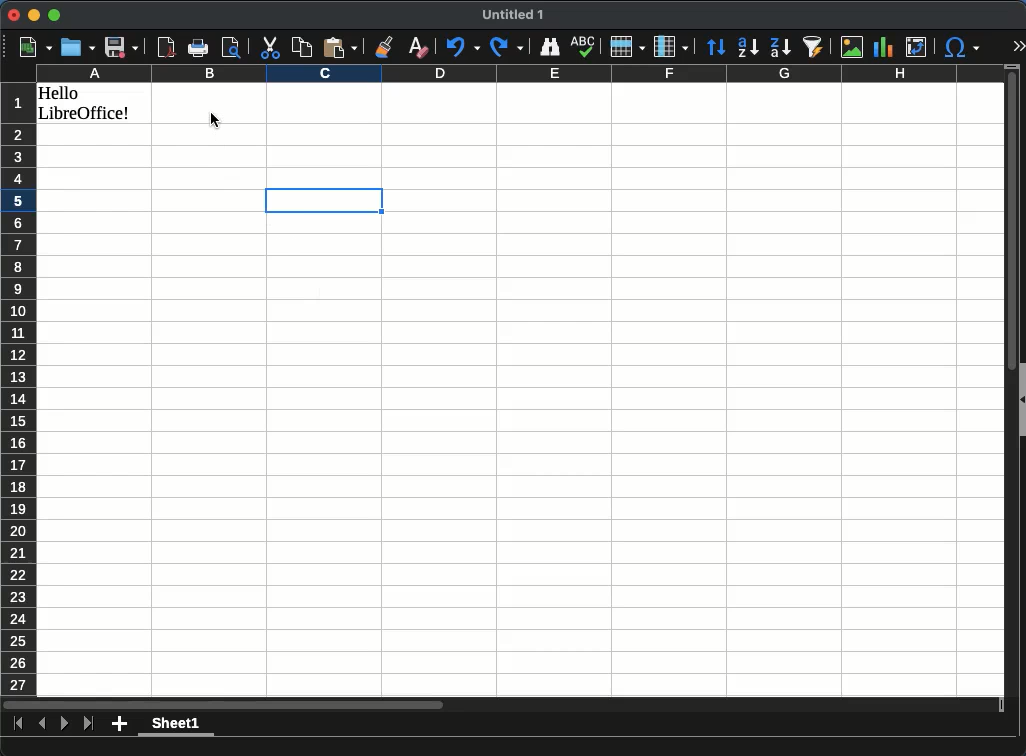 The width and height of the screenshot is (1026, 756). What do you see at coordinates (63, 728) in the screenshot?
I see `next sheet` at bounding box center [63, 728].